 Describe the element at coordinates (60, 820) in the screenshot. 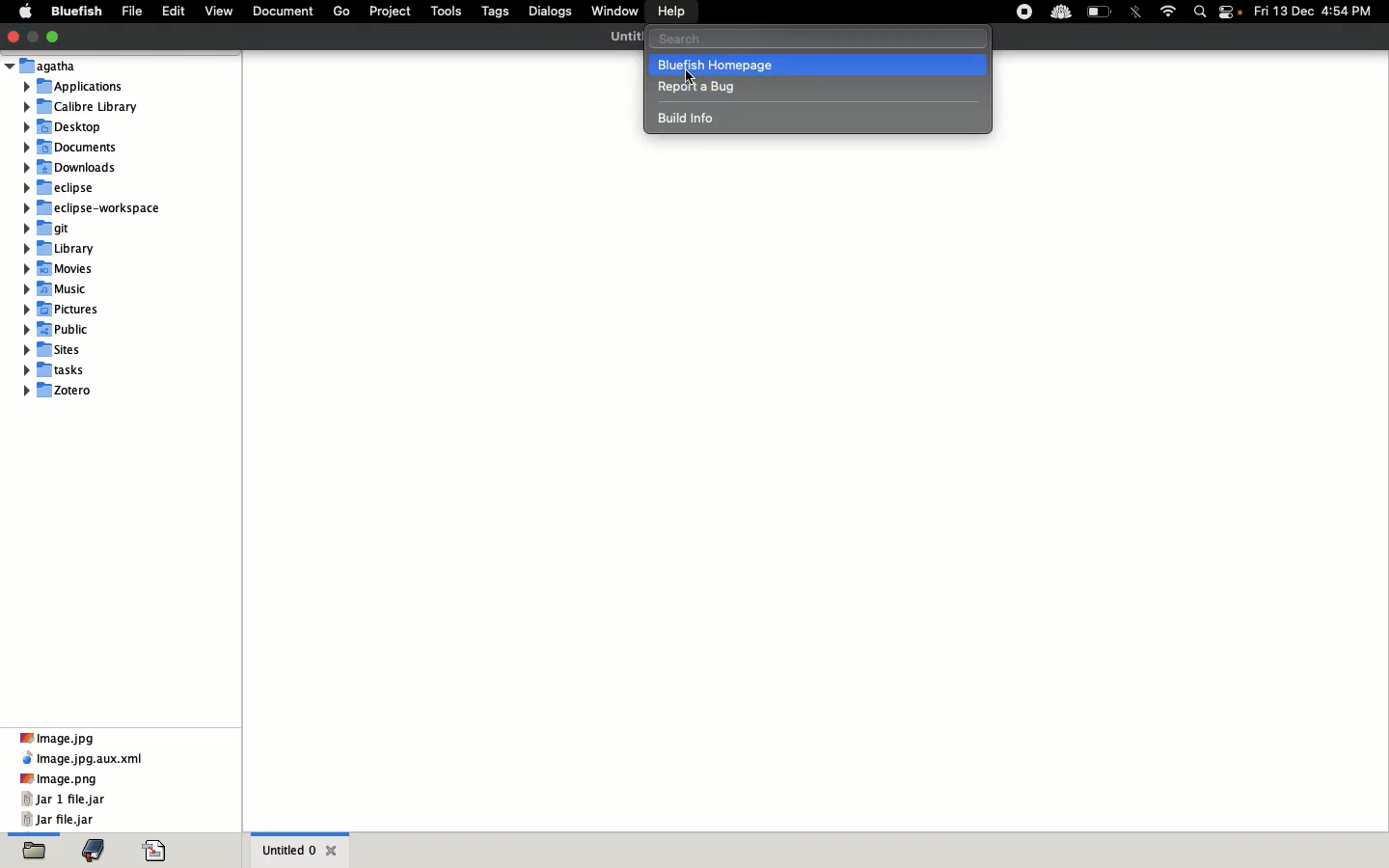

I see `jar file` at that location.